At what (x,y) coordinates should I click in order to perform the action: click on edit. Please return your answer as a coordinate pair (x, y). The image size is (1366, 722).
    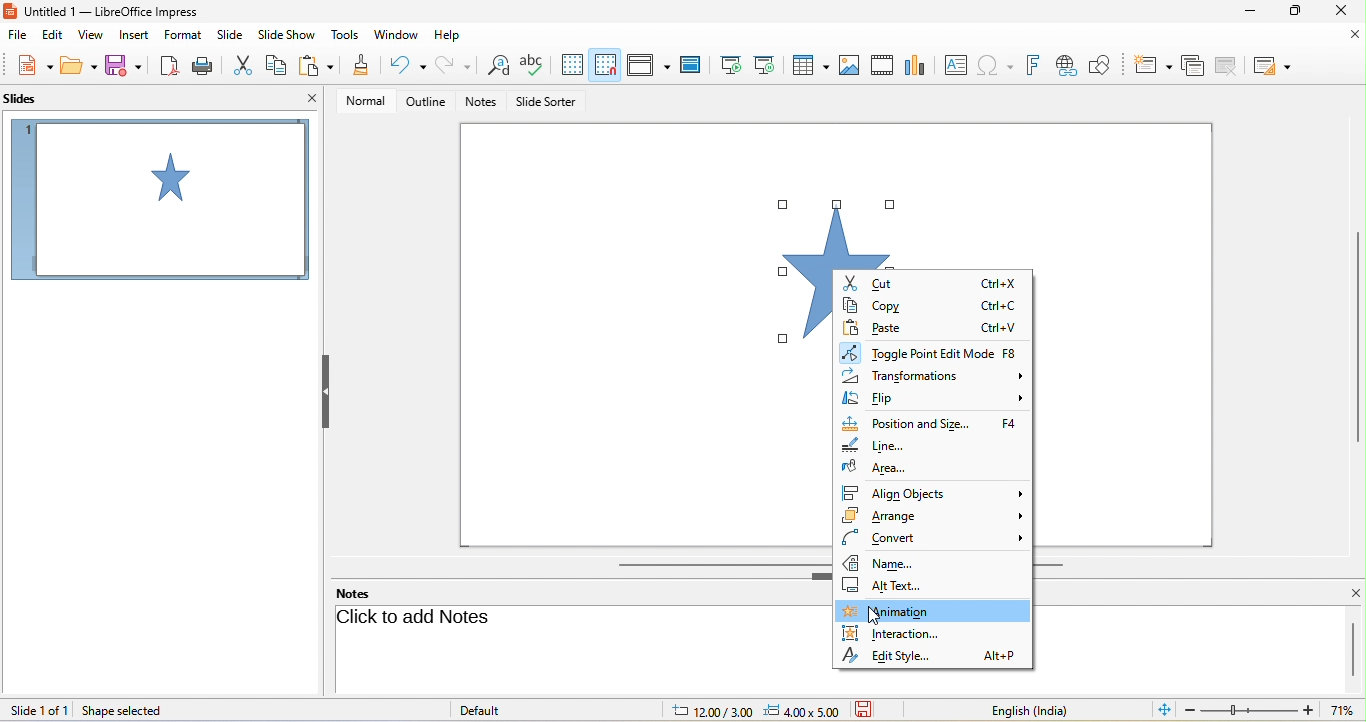
    Looking at the image, I should click on (52, 36).